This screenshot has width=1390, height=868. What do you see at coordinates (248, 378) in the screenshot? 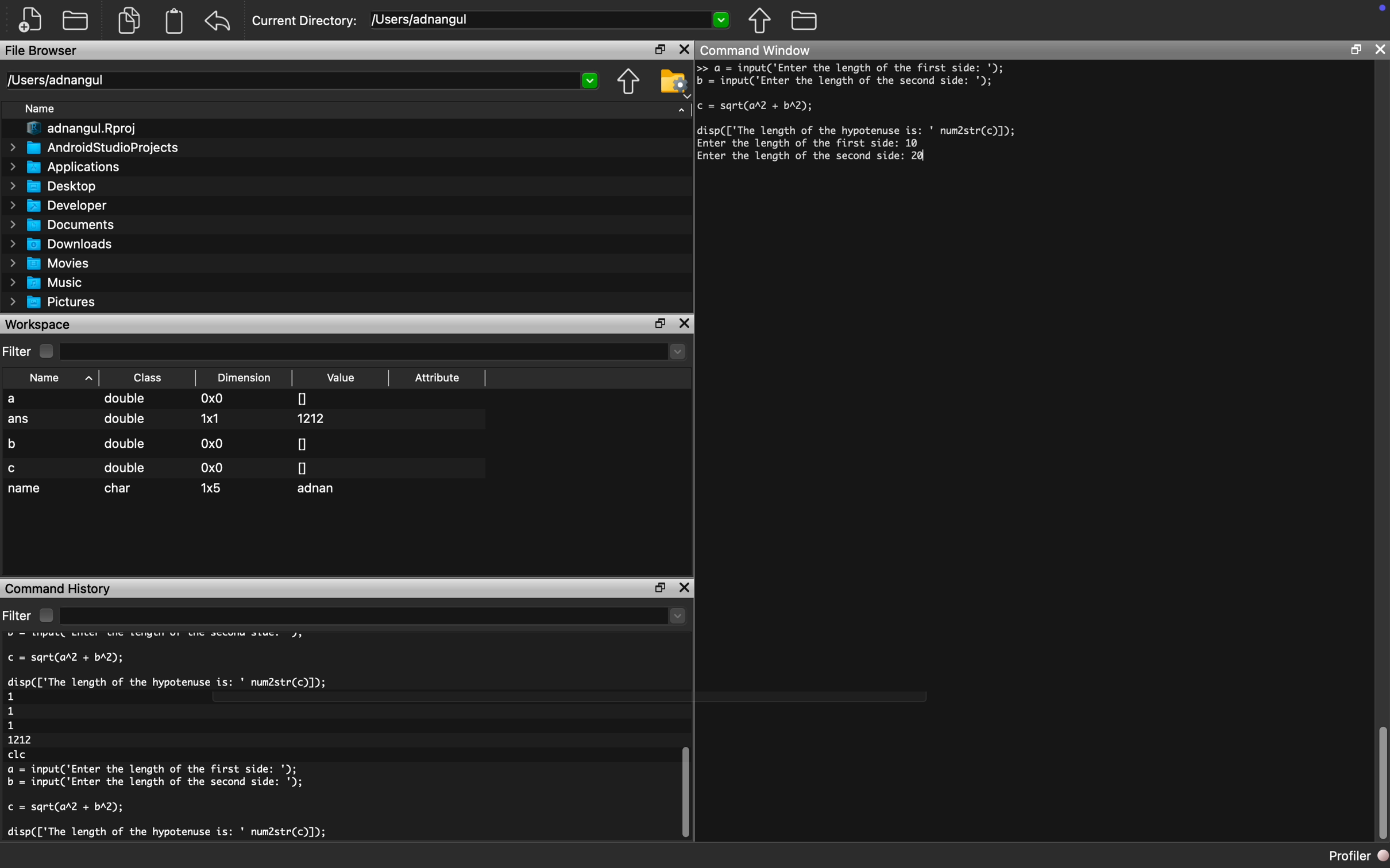
I see `Dimension` at bounding box center [248, 378].